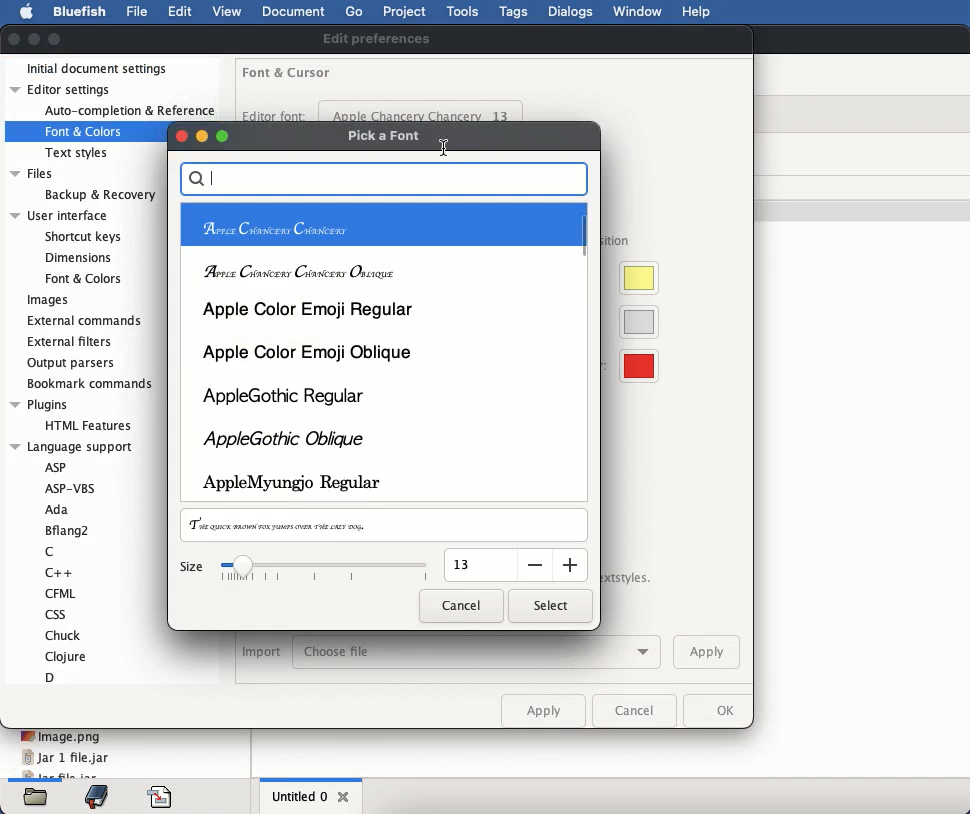 Image resolution: width=970 pixels, height=814 pixels. What do you see at coordinates (514, 12) in the screenshot?
I see `tags` at bounding box center [514, 12].